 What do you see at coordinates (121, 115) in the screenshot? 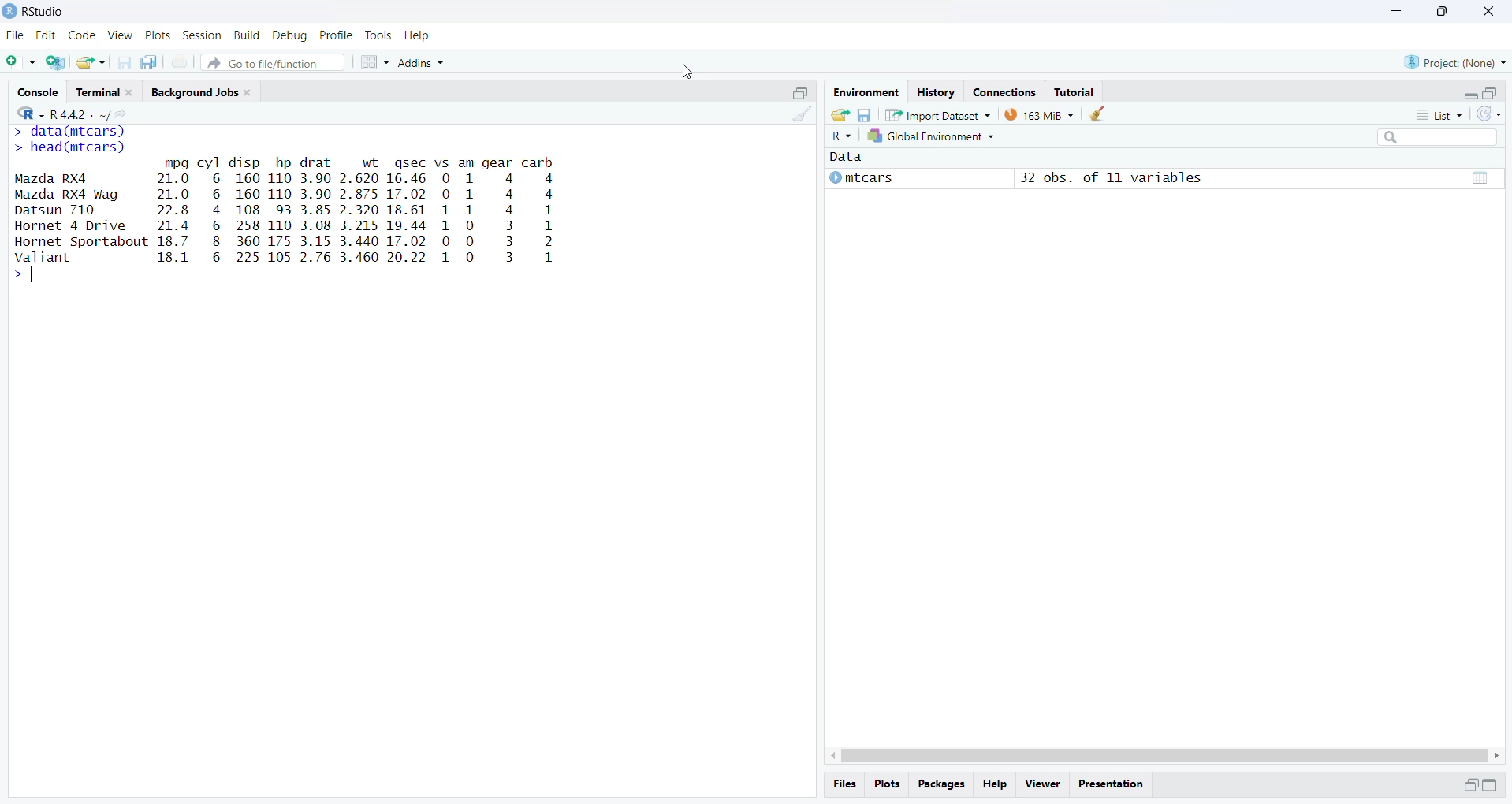
I see `share icon` at bounding box center [121, 115].